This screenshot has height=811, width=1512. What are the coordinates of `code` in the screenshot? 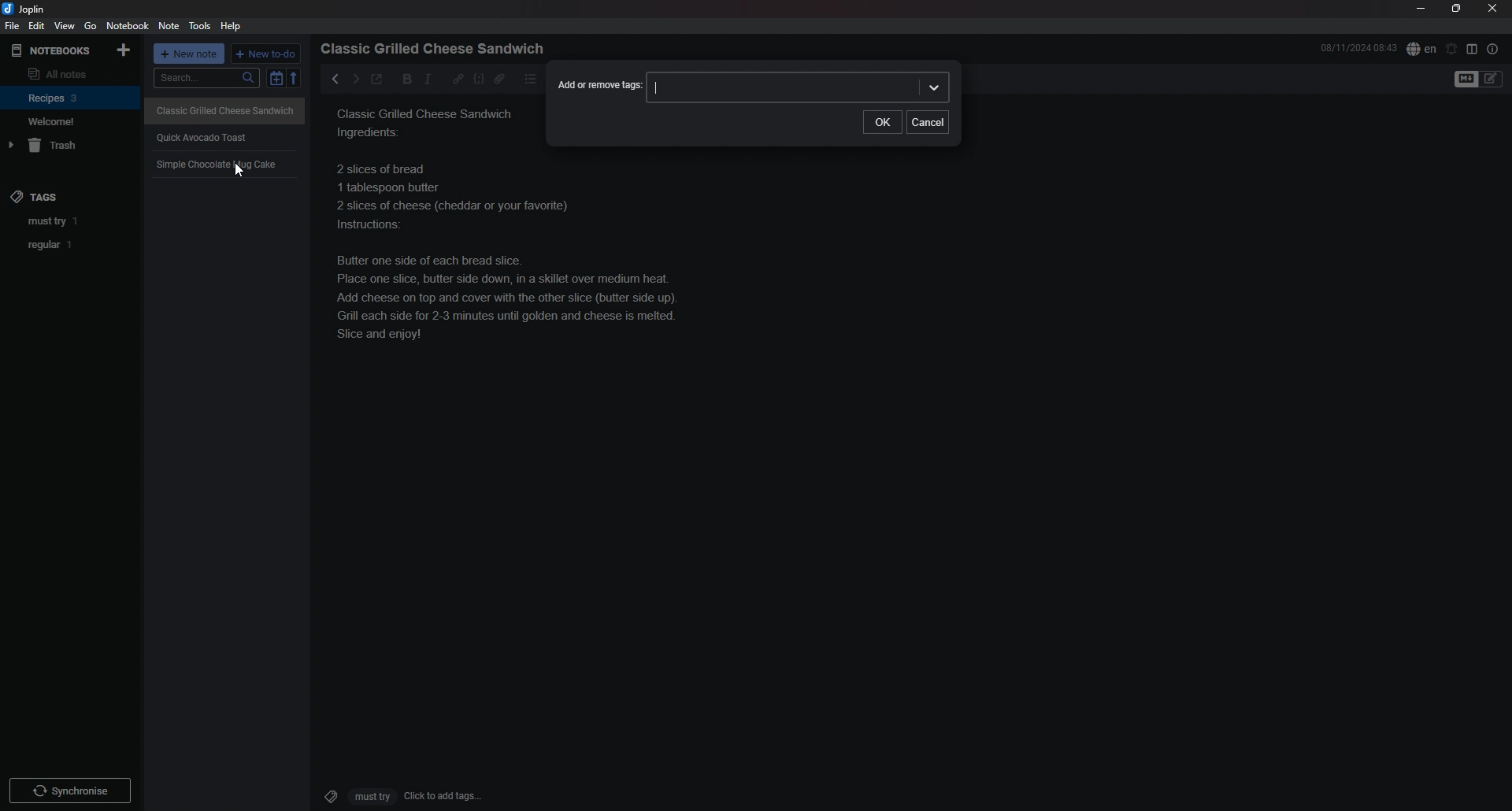 It's located at (478, 79).